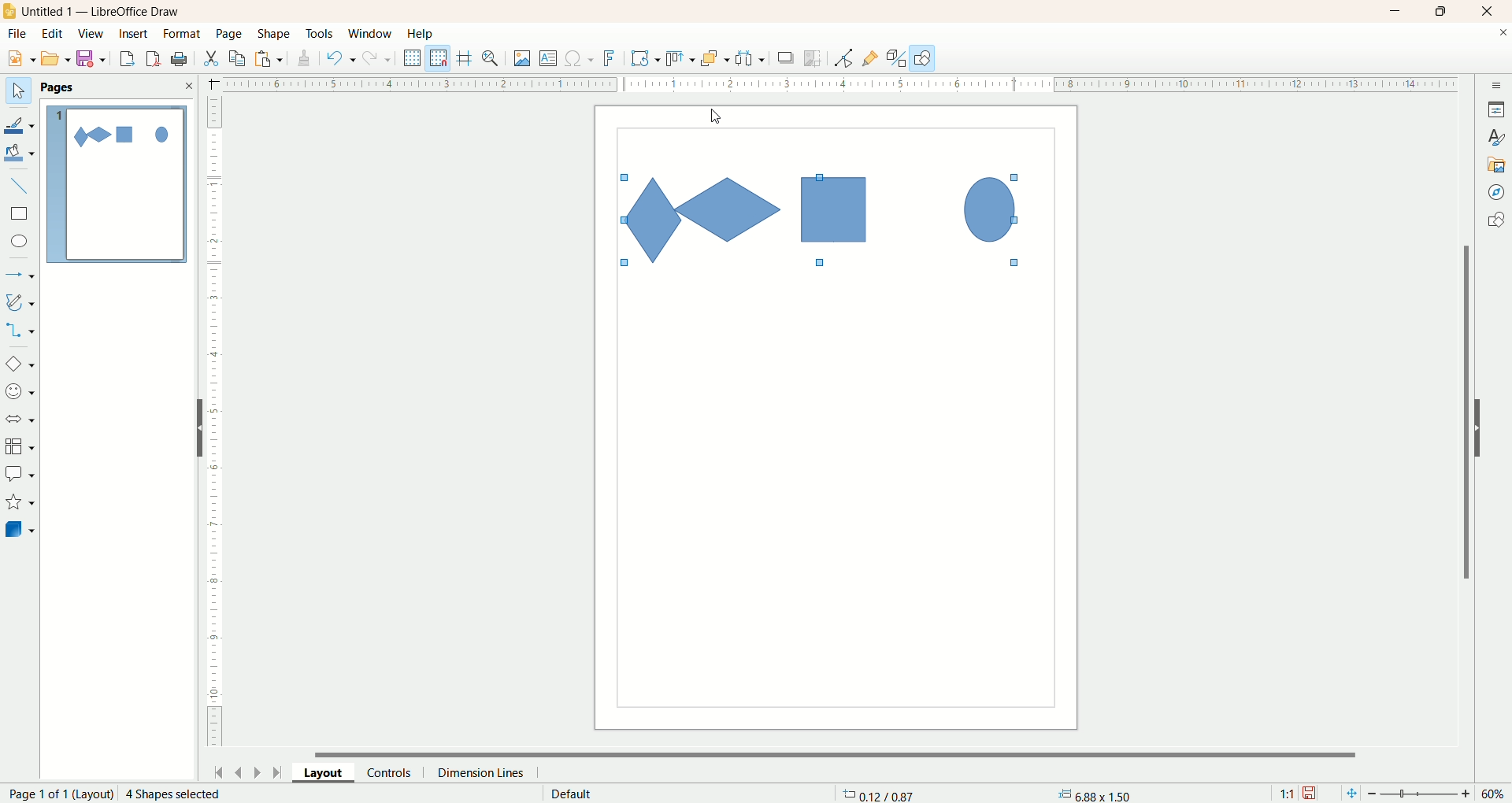 This screenshot has width=1512, height=803. What do you see at coordinates (19, 363) in the screenshot?
I see `basic shape` at bounding box center [19, 363].